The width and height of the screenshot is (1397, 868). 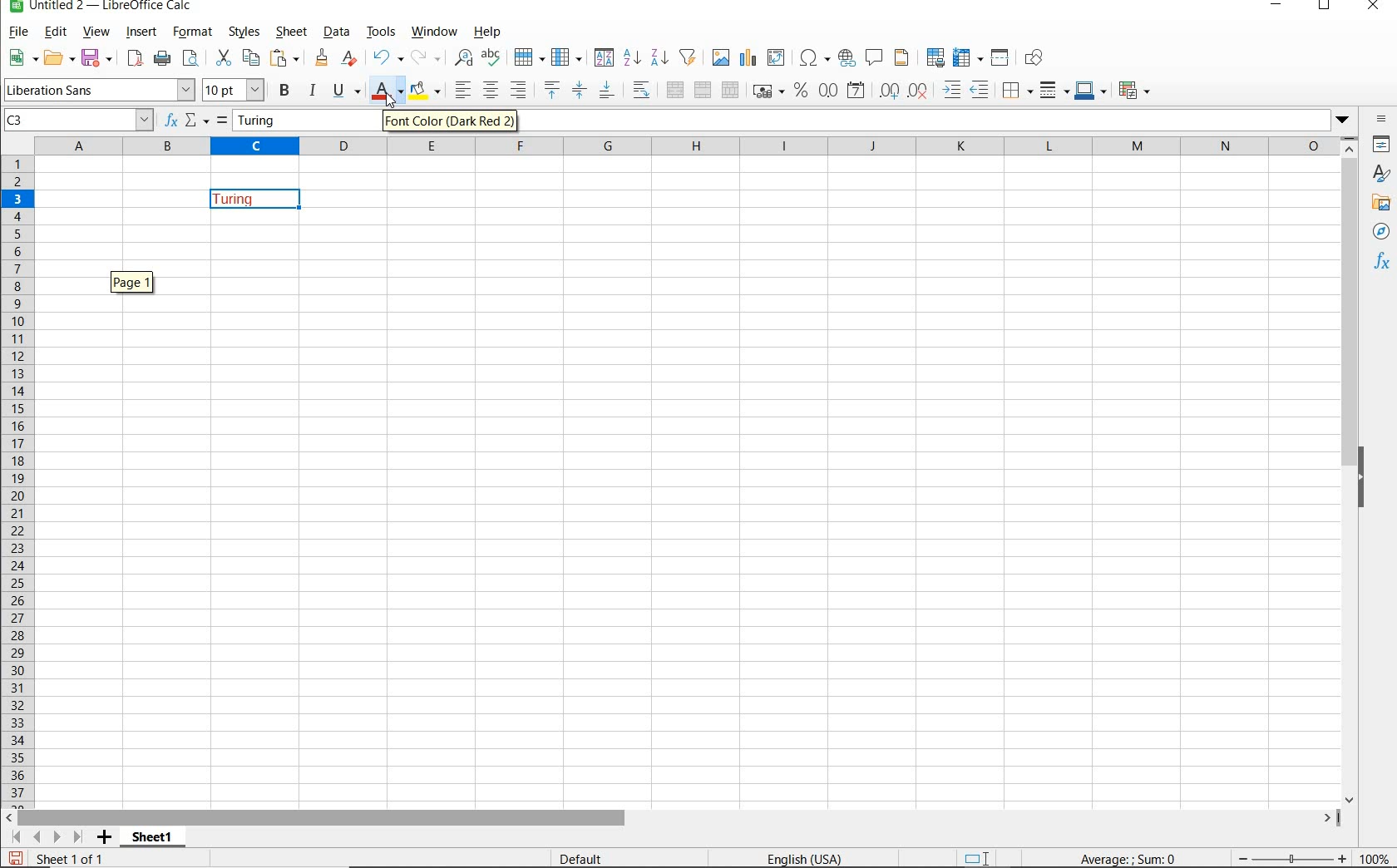 I want to click on NEW, so click(x=22, y=57).